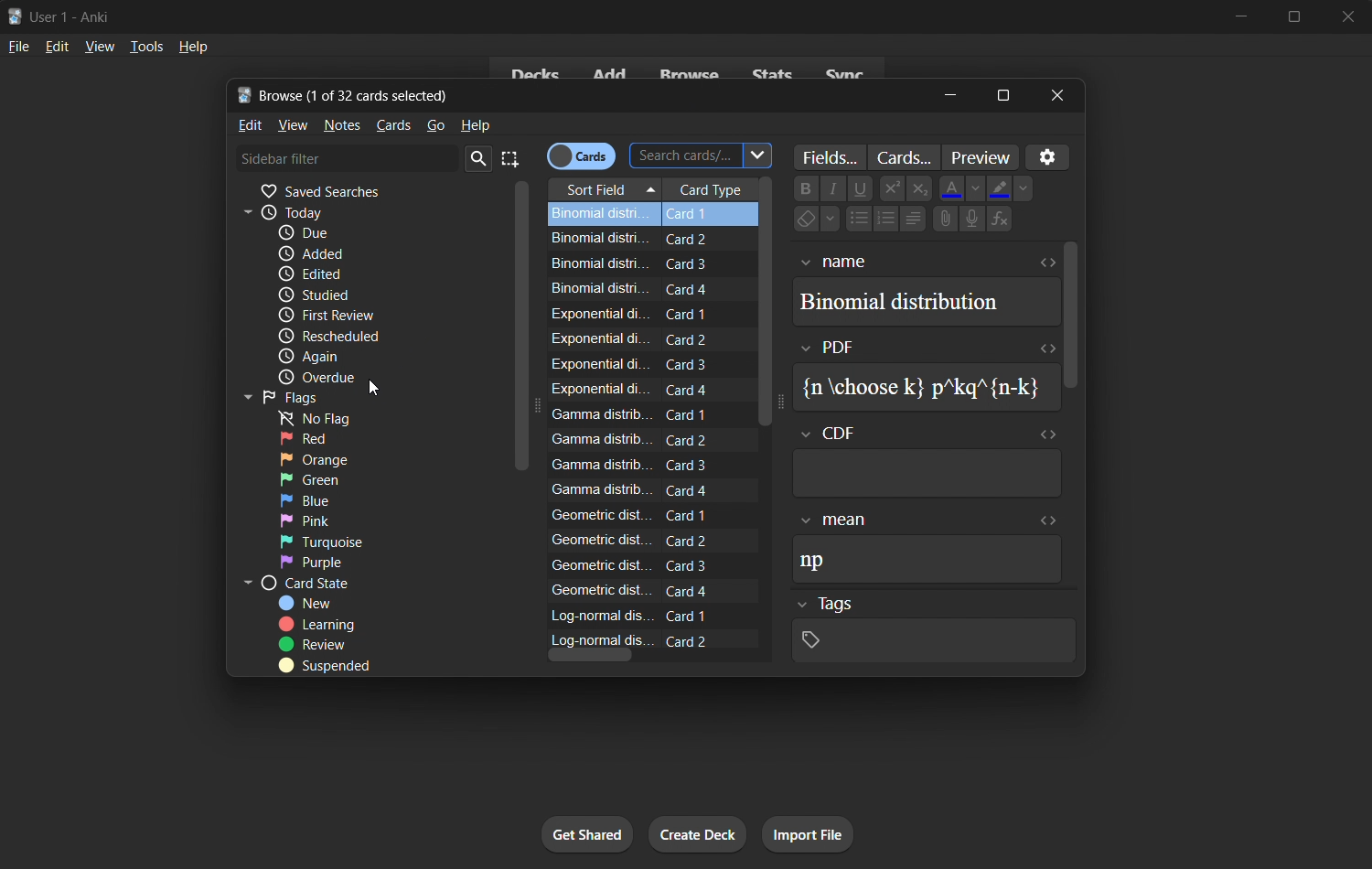 The image size is (1372, 869). I want to click on green, so click(341, 479).